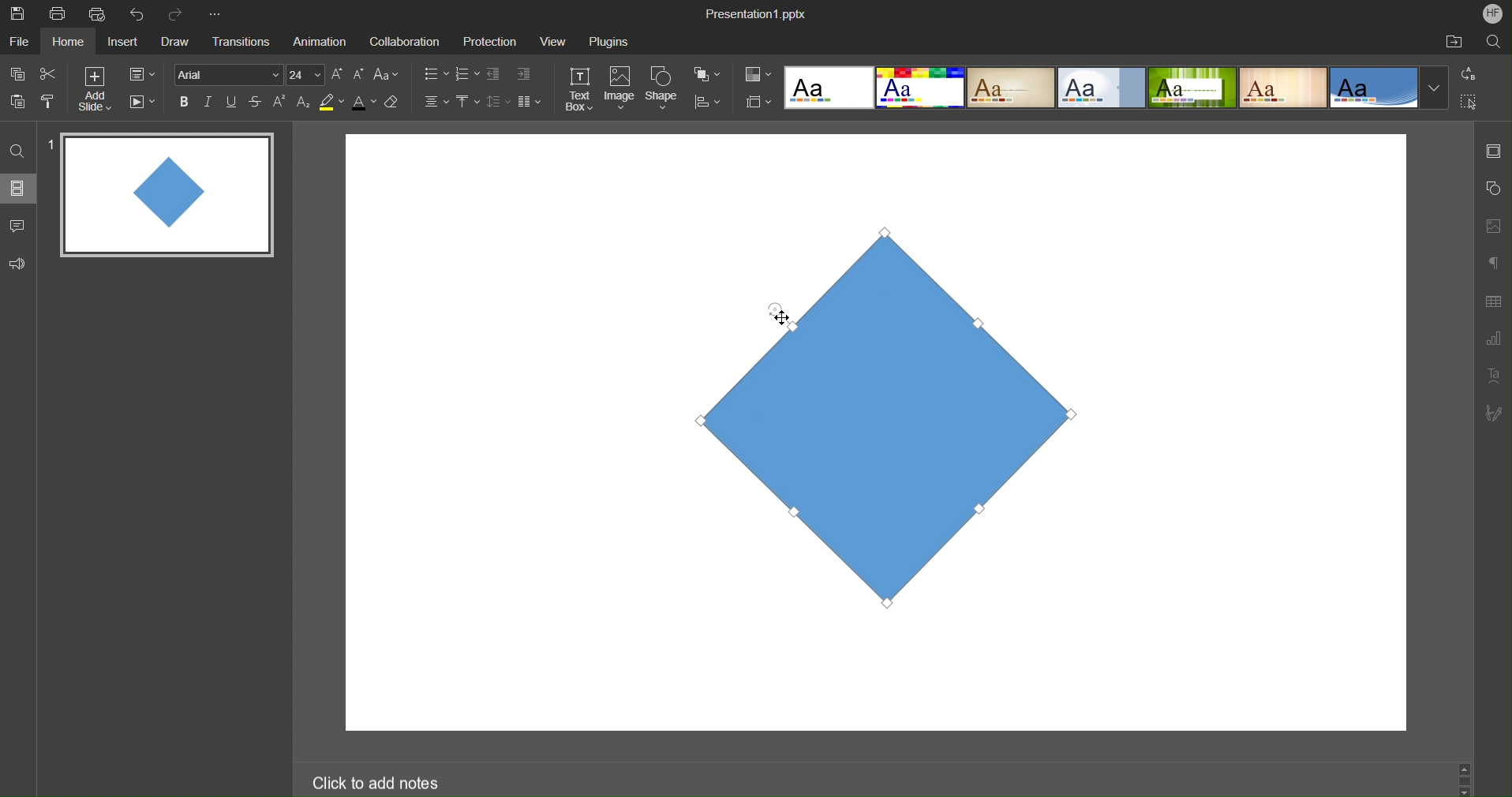 The height and width of the screenshot is (797, 1512). I want to click on Increase Font, so click(338, 75).